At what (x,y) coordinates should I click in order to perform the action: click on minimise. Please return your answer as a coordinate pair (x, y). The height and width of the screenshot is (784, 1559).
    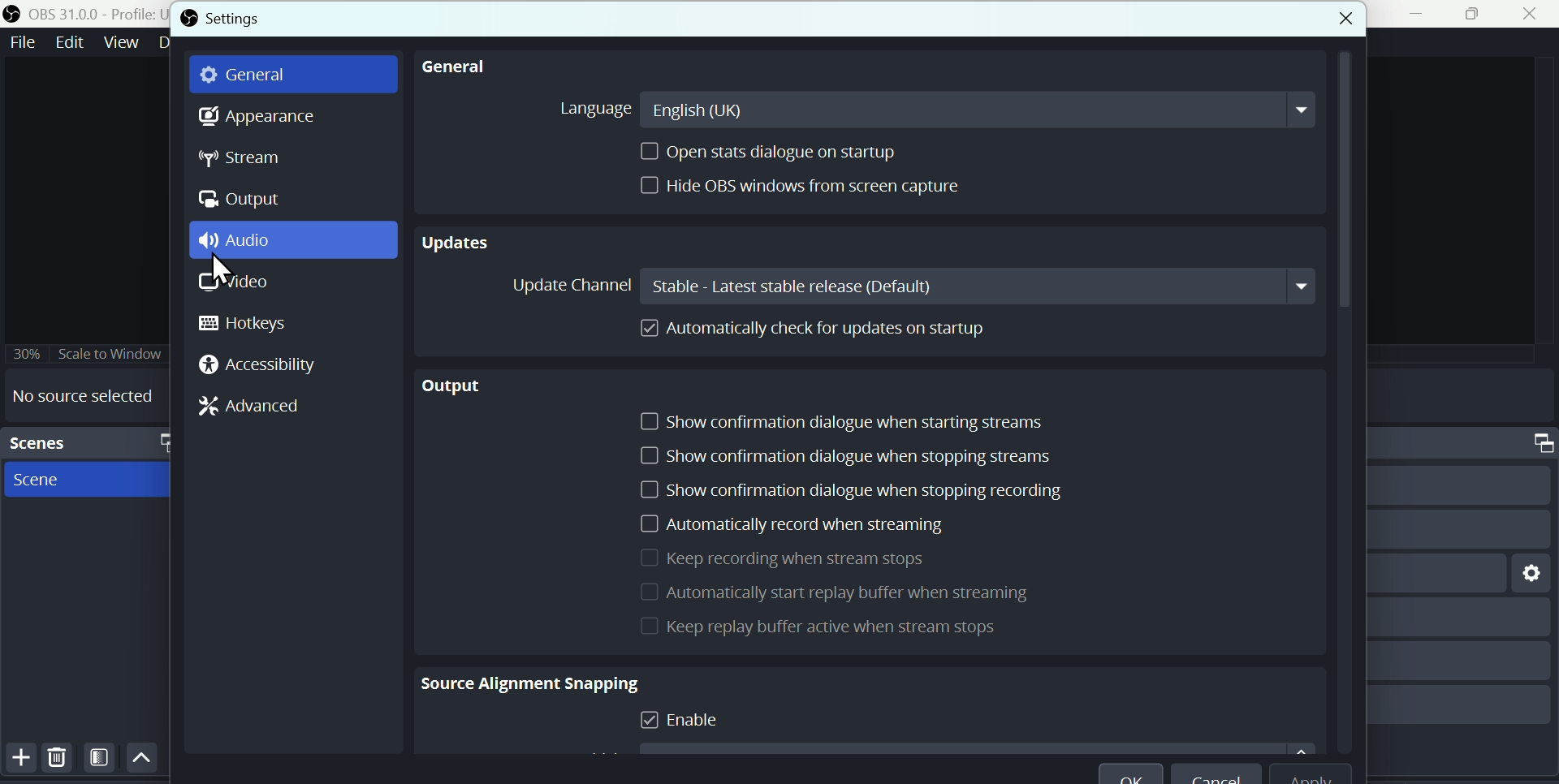
    Looking at the image, I should click on (1420, 14).